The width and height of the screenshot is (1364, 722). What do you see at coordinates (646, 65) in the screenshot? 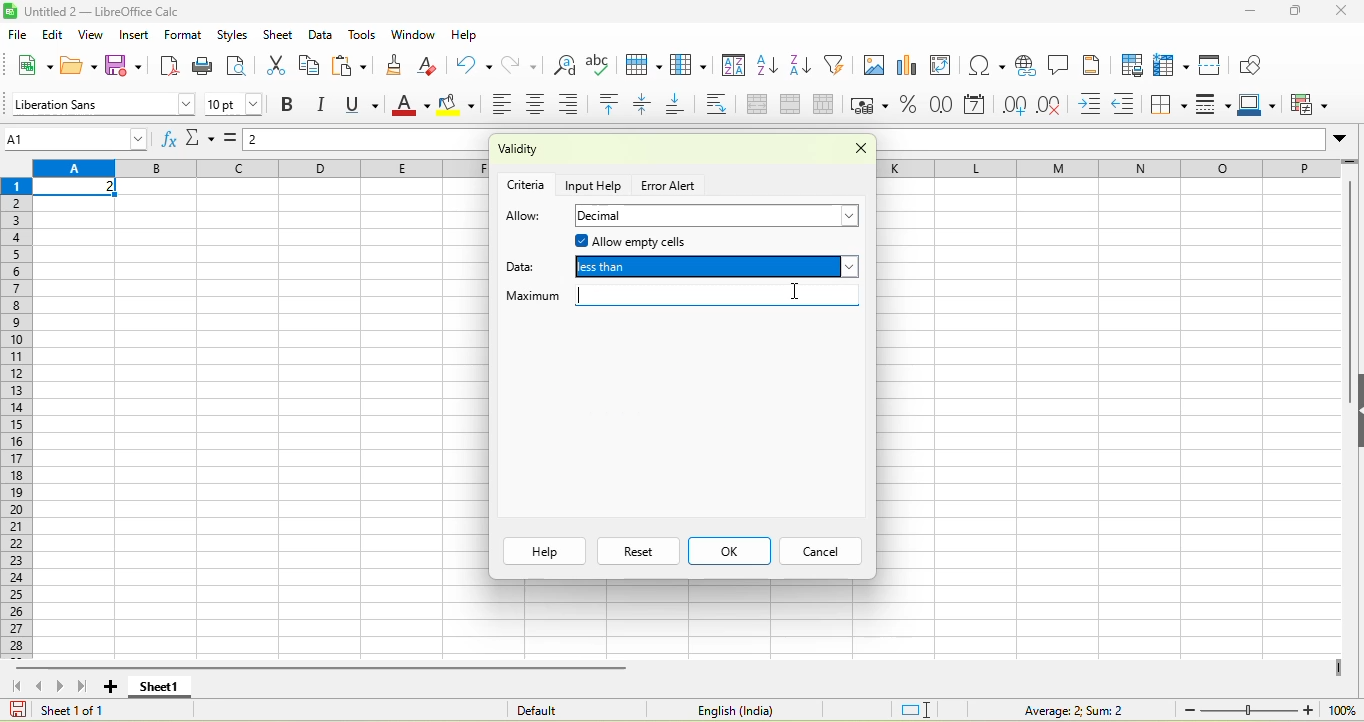
I see `row` at bounding box center [646, 65].